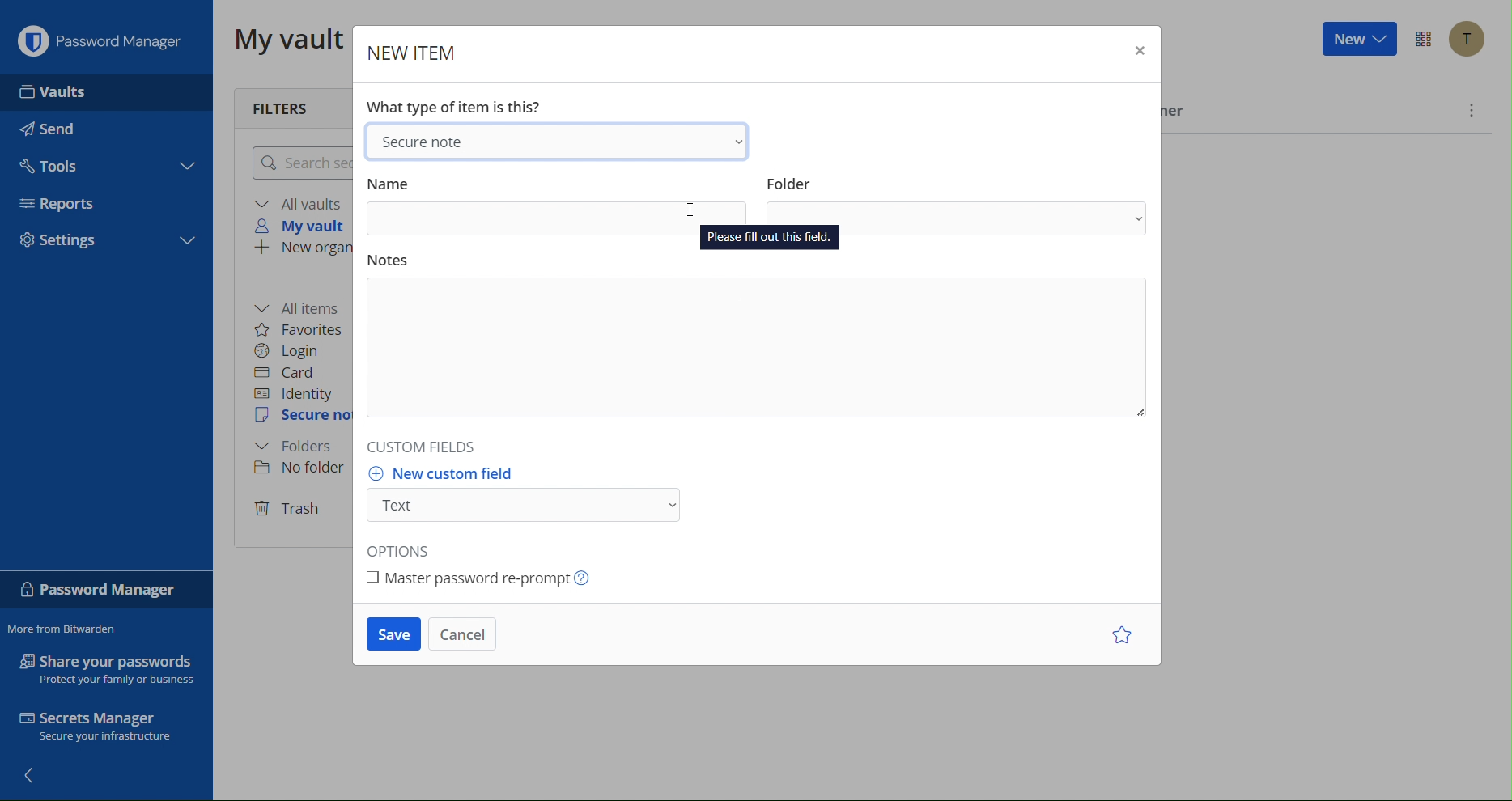  I want to click on All vaults, so click(299, 203).